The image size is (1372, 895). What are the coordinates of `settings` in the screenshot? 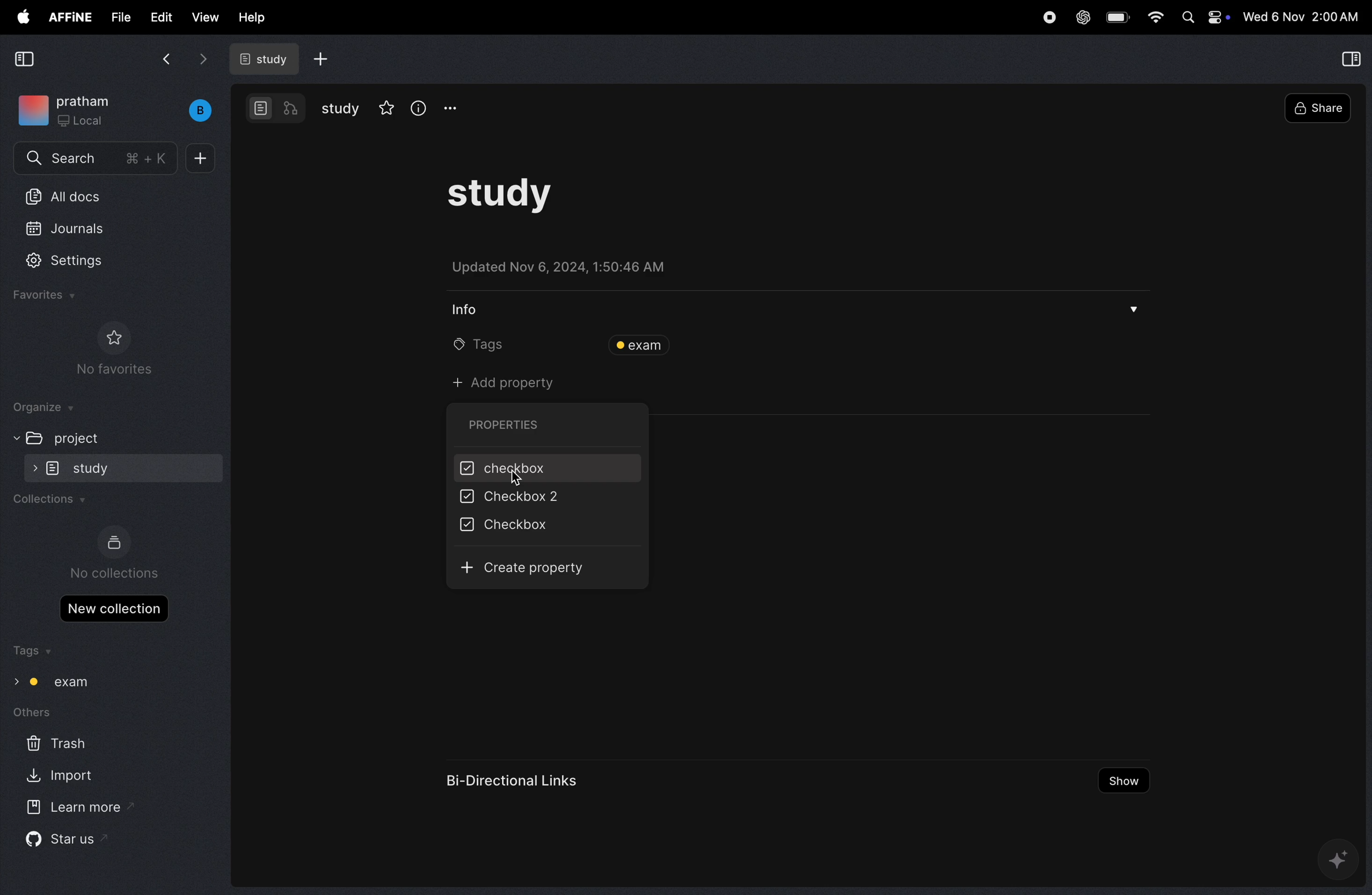 It's located at (79, 259).